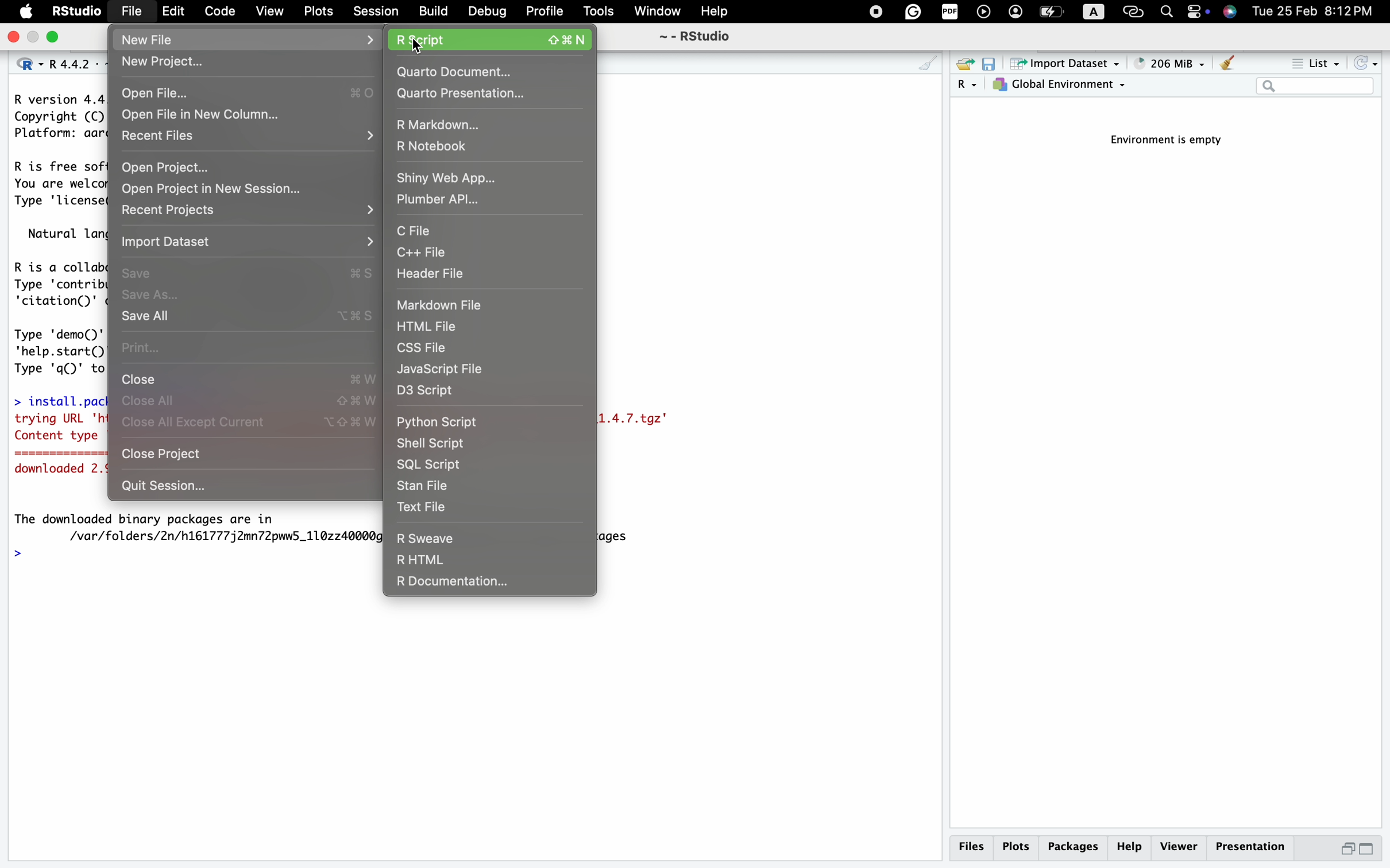 This screenshot has height=868, width=1390. Describe the element at coordinates (76, 10) in the screenshot. I see `RStudio` at that location.